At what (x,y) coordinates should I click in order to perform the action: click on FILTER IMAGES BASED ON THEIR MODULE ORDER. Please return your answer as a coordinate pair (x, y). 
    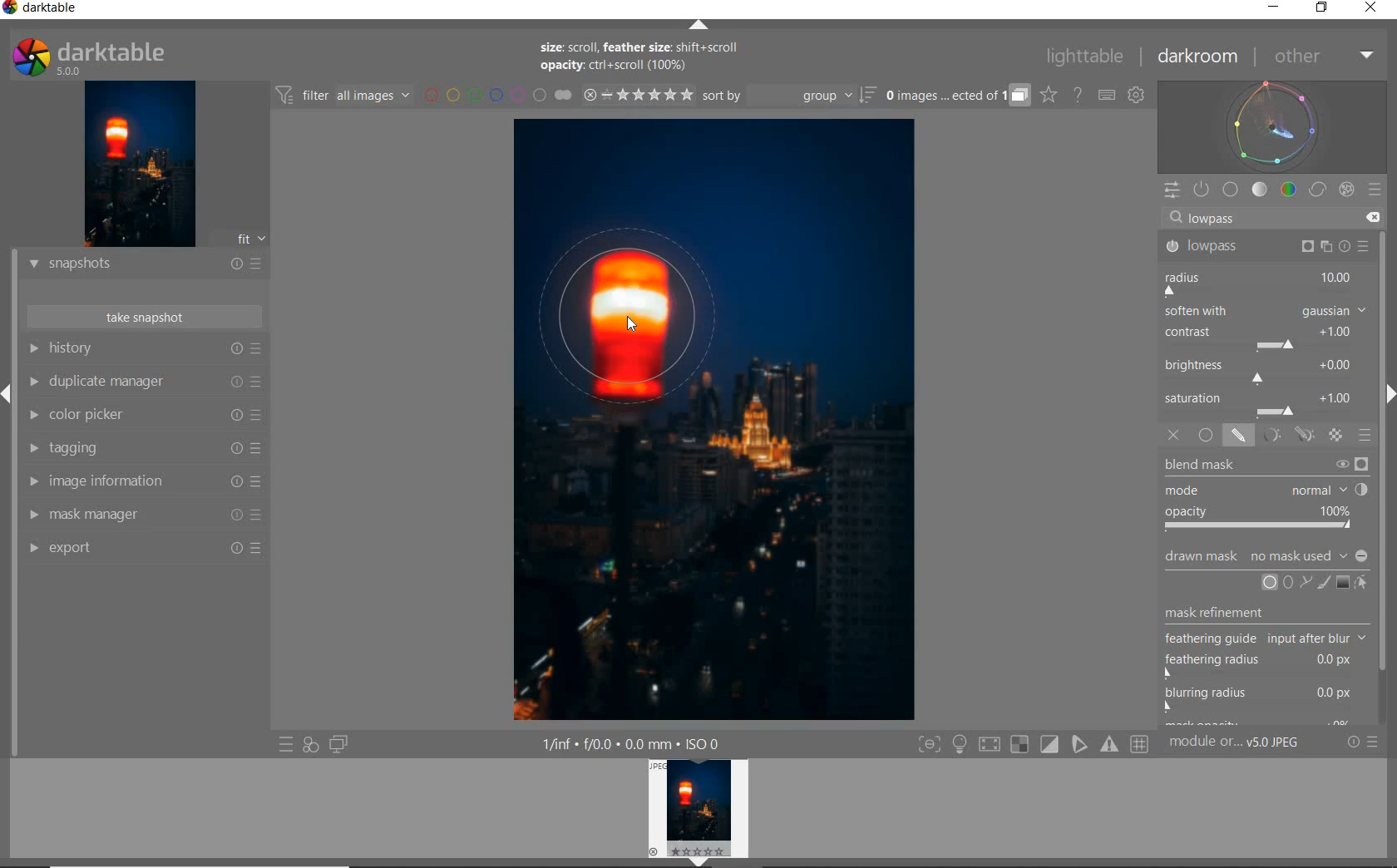
    Looking at the image, I should click on (345, 96).